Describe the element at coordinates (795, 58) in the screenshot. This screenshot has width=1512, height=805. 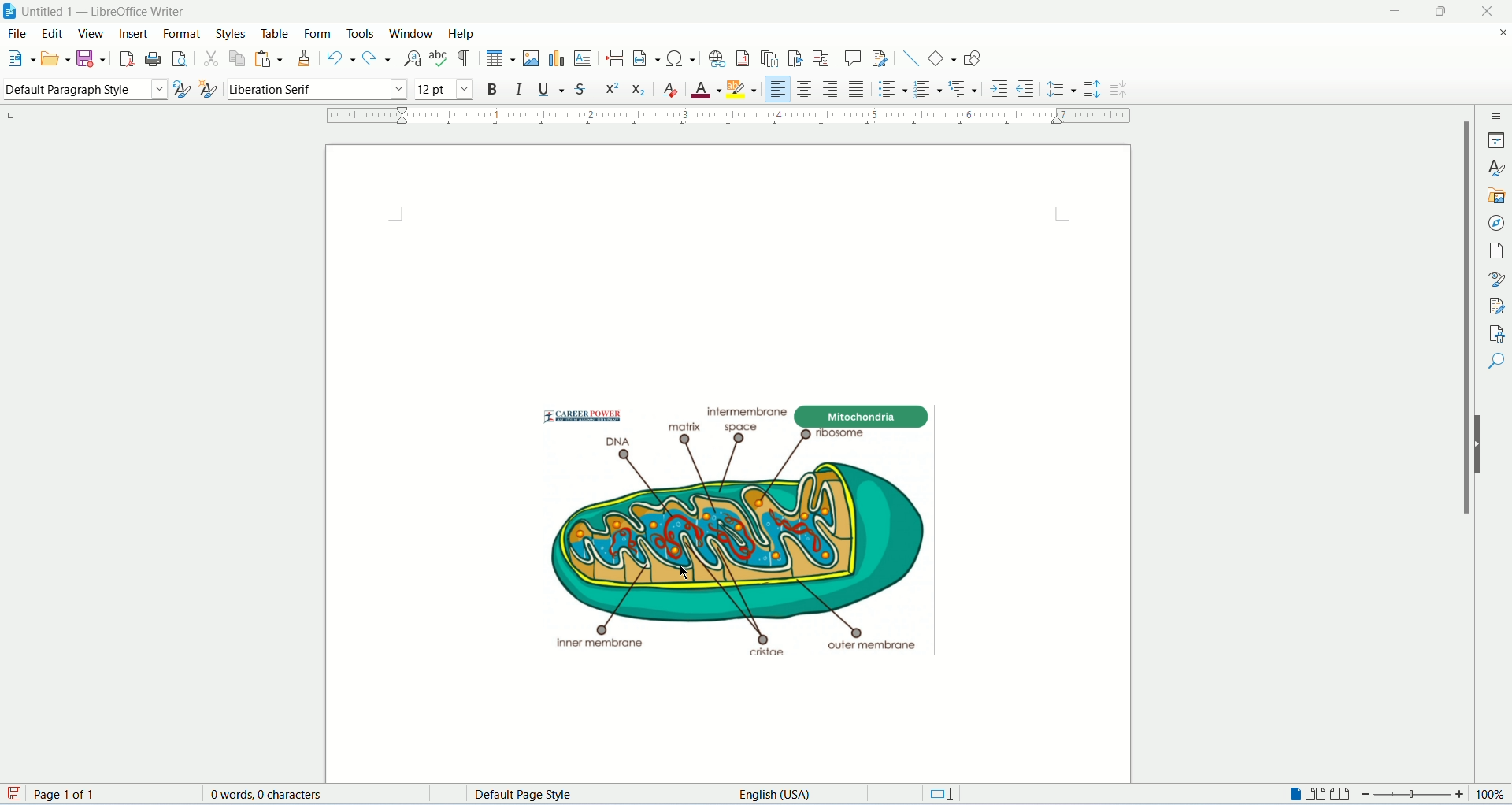
I see `insert bookmark` at that location.